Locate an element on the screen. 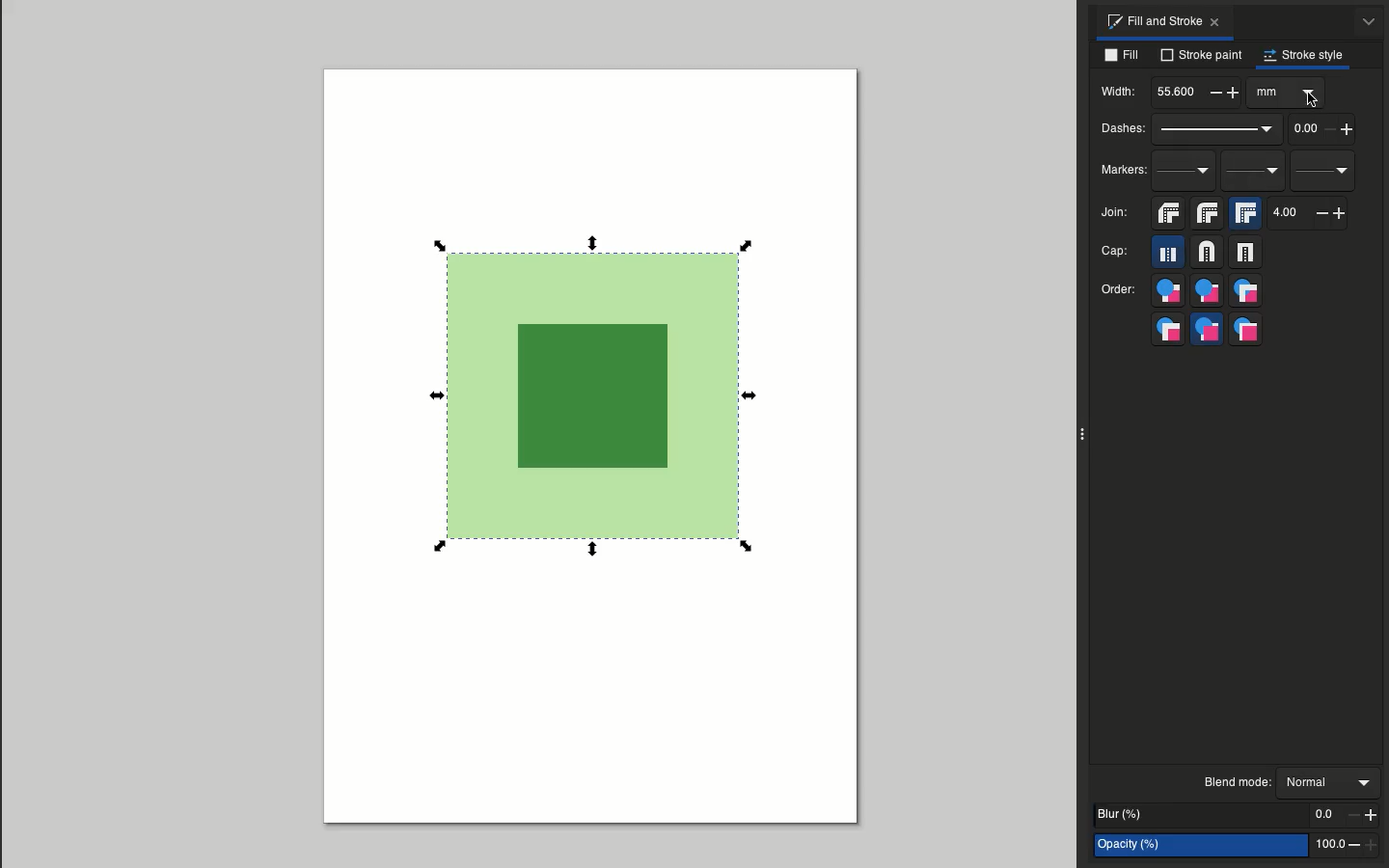 Image resolution: width=1389 pixels, height=868 pixels. Butt cap is located at coordinates (1170, 250).